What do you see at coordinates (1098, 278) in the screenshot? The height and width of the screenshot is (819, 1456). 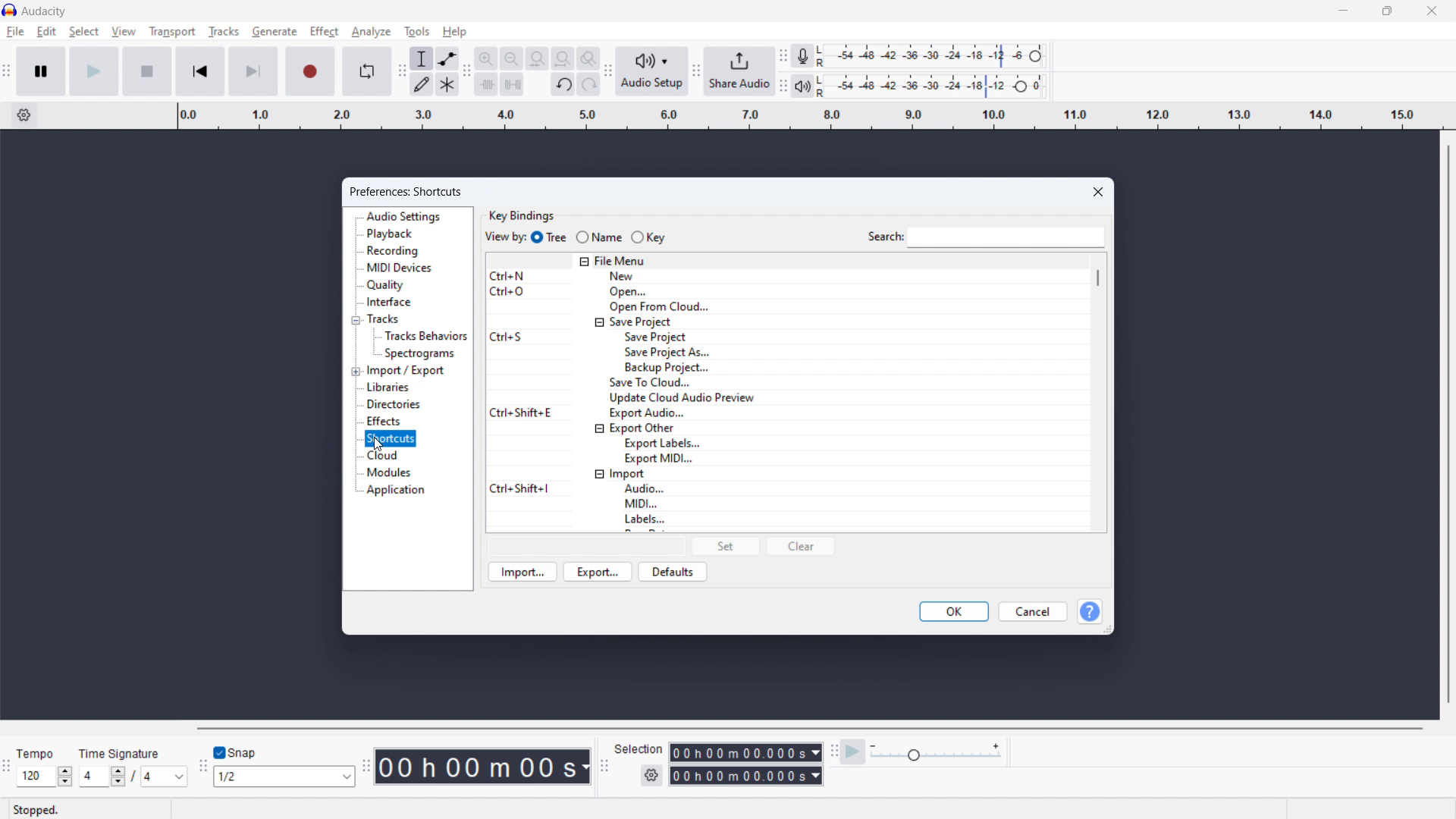 I see `scrollbar` at bounding box center [1098, 278].